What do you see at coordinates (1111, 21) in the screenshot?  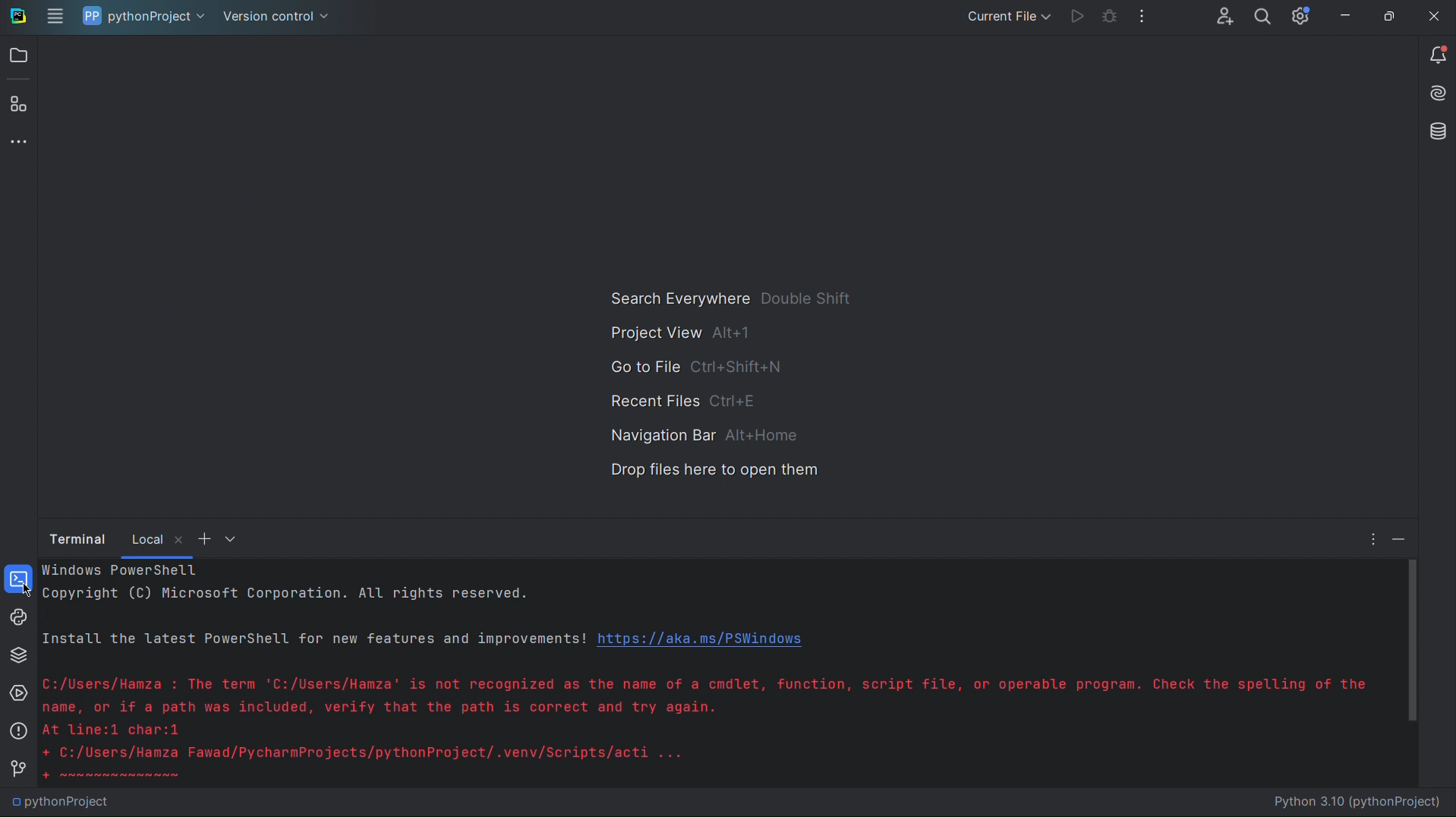 I see `Bug Check` at bounding box center [1111, 21].